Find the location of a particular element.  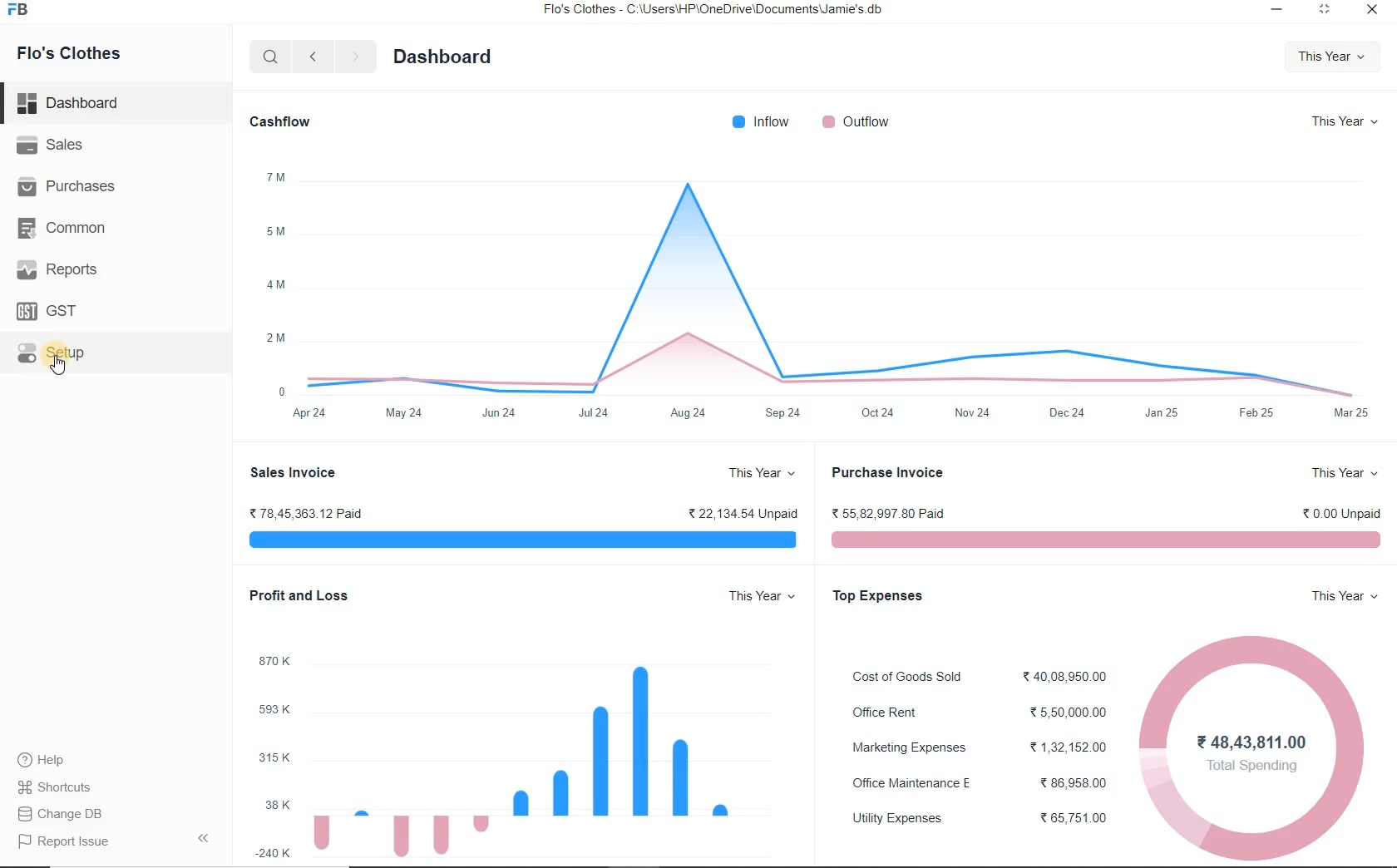

Close is located at coordinates (1372, 8).